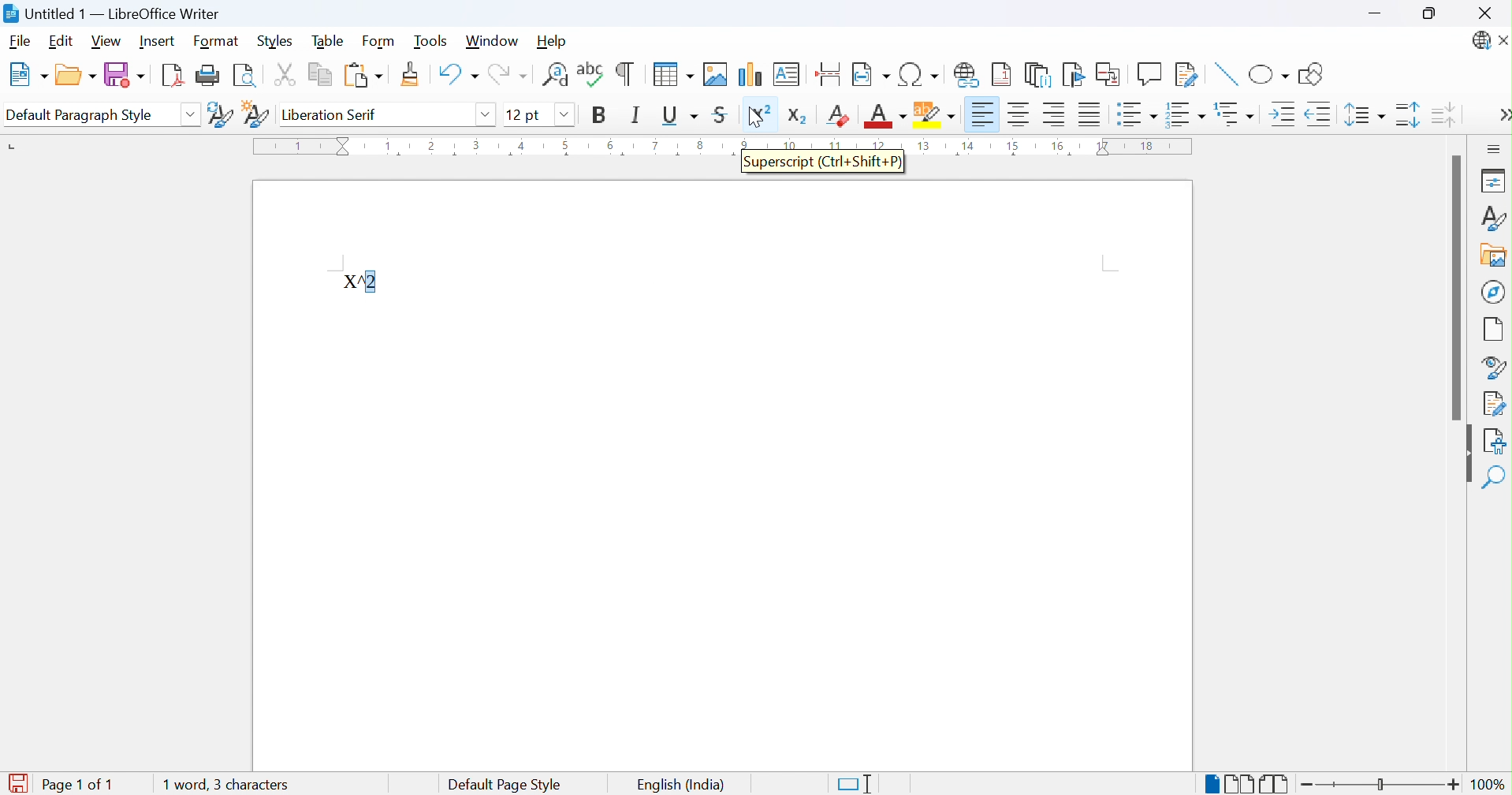  I want to click on Toggle formatting marks, so click(627, 72).